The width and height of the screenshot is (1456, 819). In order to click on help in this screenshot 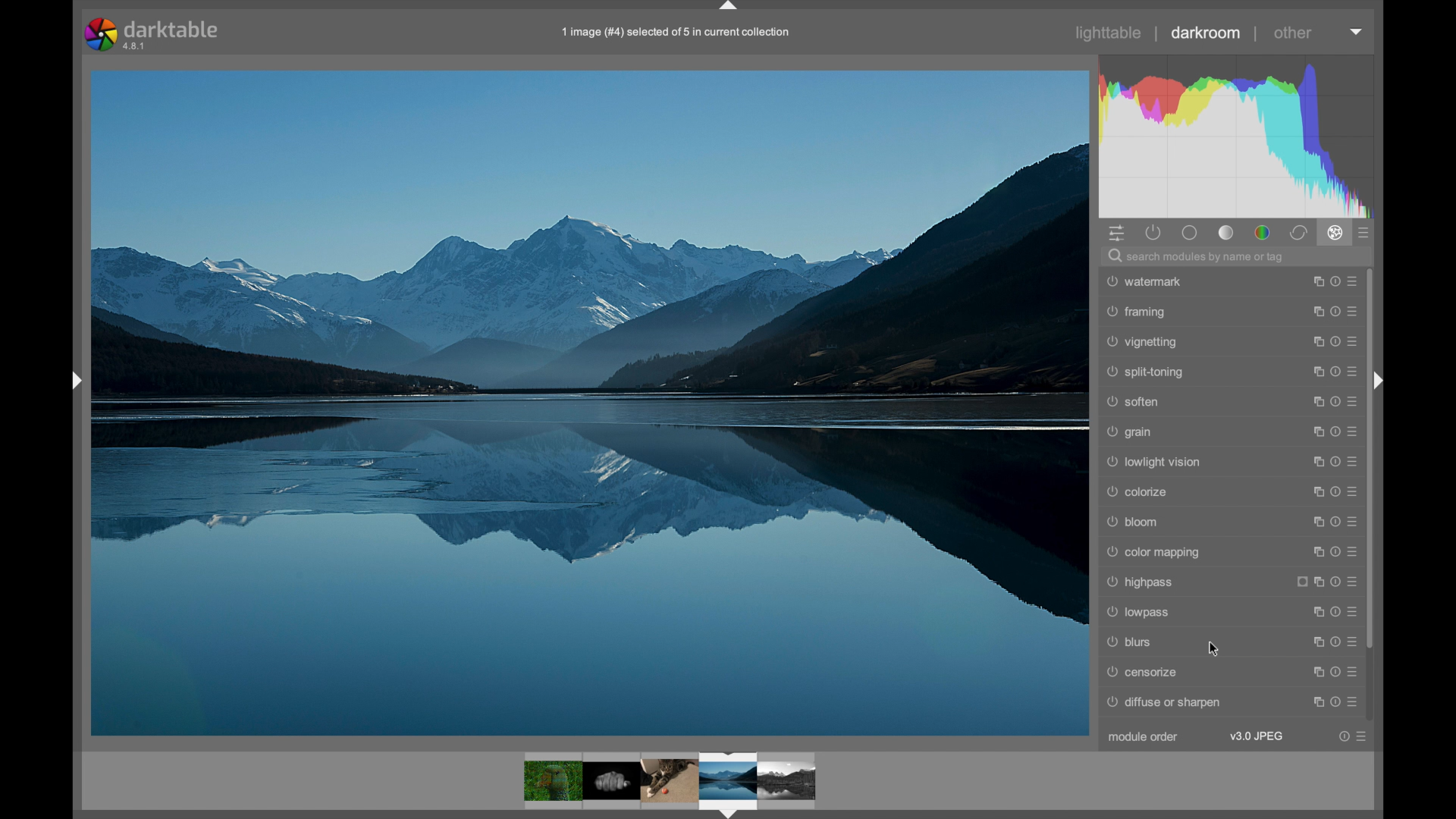, I will do `click(1333, 612)`.